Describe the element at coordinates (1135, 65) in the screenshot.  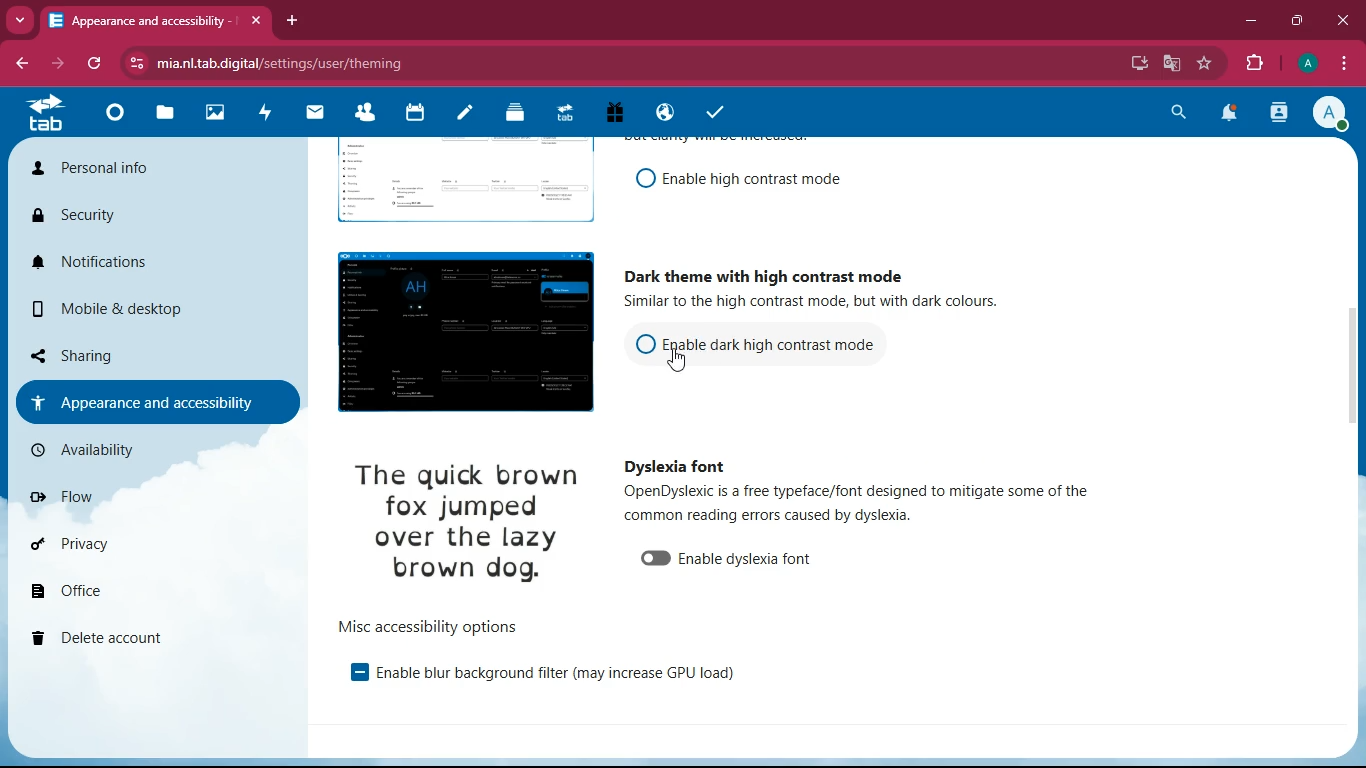
I see `desktop` at that location.